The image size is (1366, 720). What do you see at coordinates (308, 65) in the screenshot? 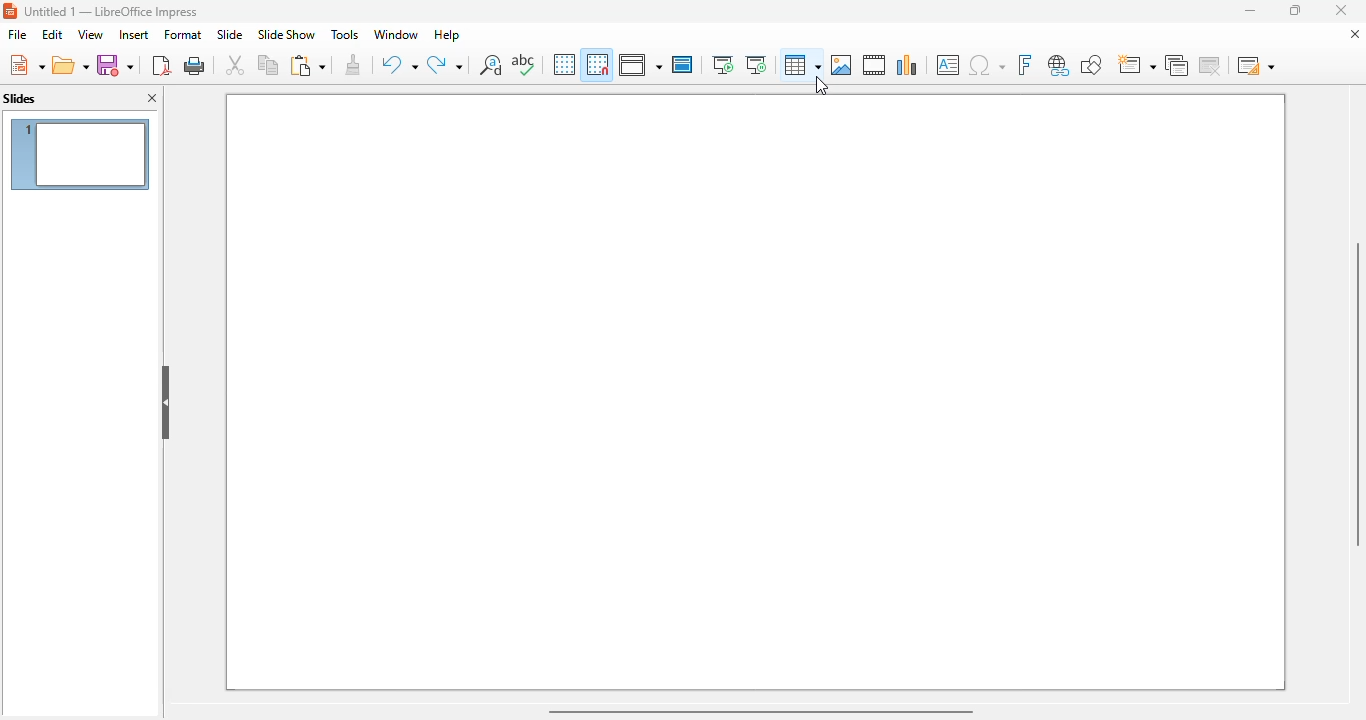
I see `paste` at bounding box center [308, 65].